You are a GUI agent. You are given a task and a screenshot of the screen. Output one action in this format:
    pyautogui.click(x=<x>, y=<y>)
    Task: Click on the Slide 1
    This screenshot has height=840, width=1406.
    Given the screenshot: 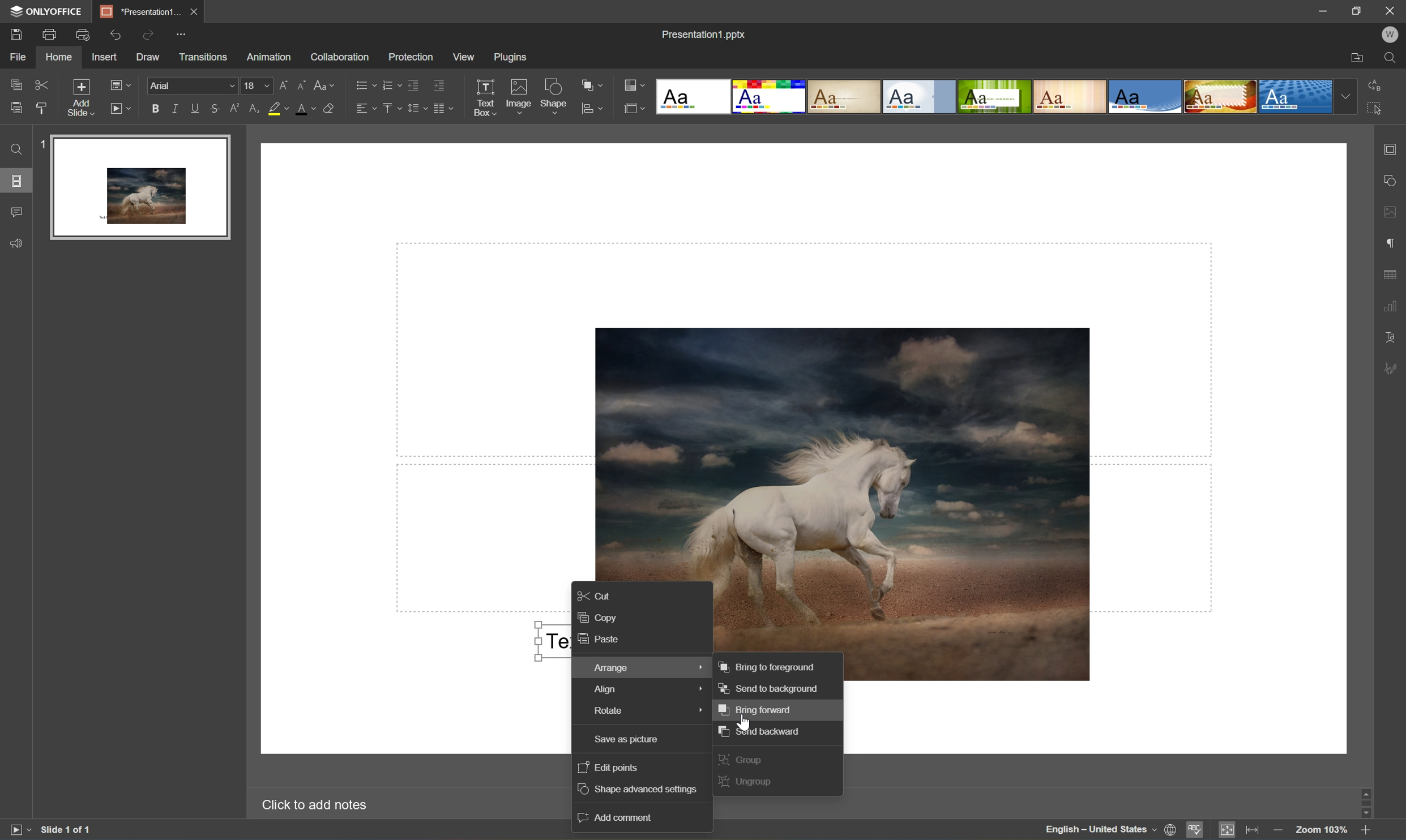 What is the action you would take?
    pyautogui.click(x=132, y=186)
    